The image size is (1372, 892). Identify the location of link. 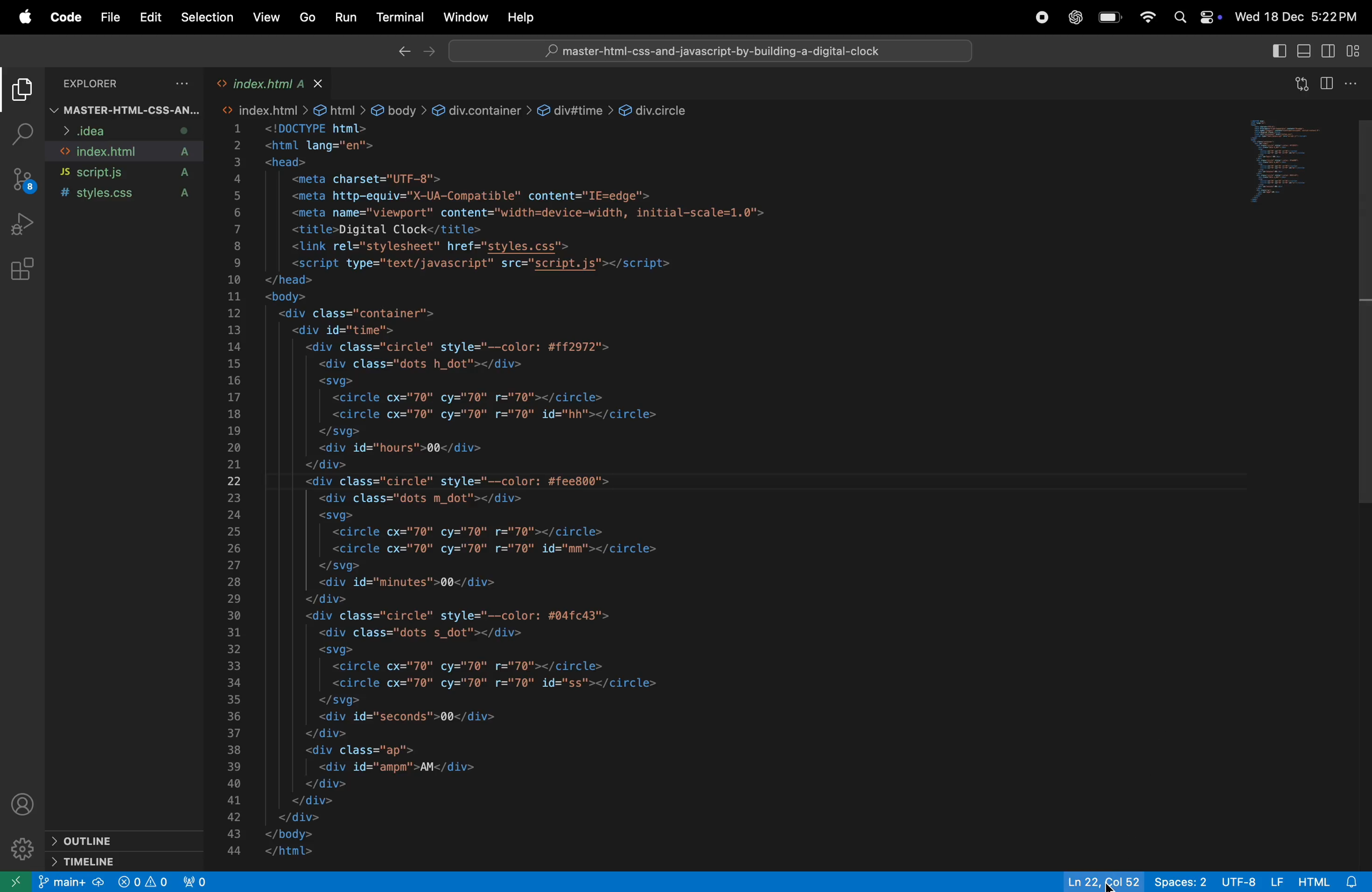
(576, 108).